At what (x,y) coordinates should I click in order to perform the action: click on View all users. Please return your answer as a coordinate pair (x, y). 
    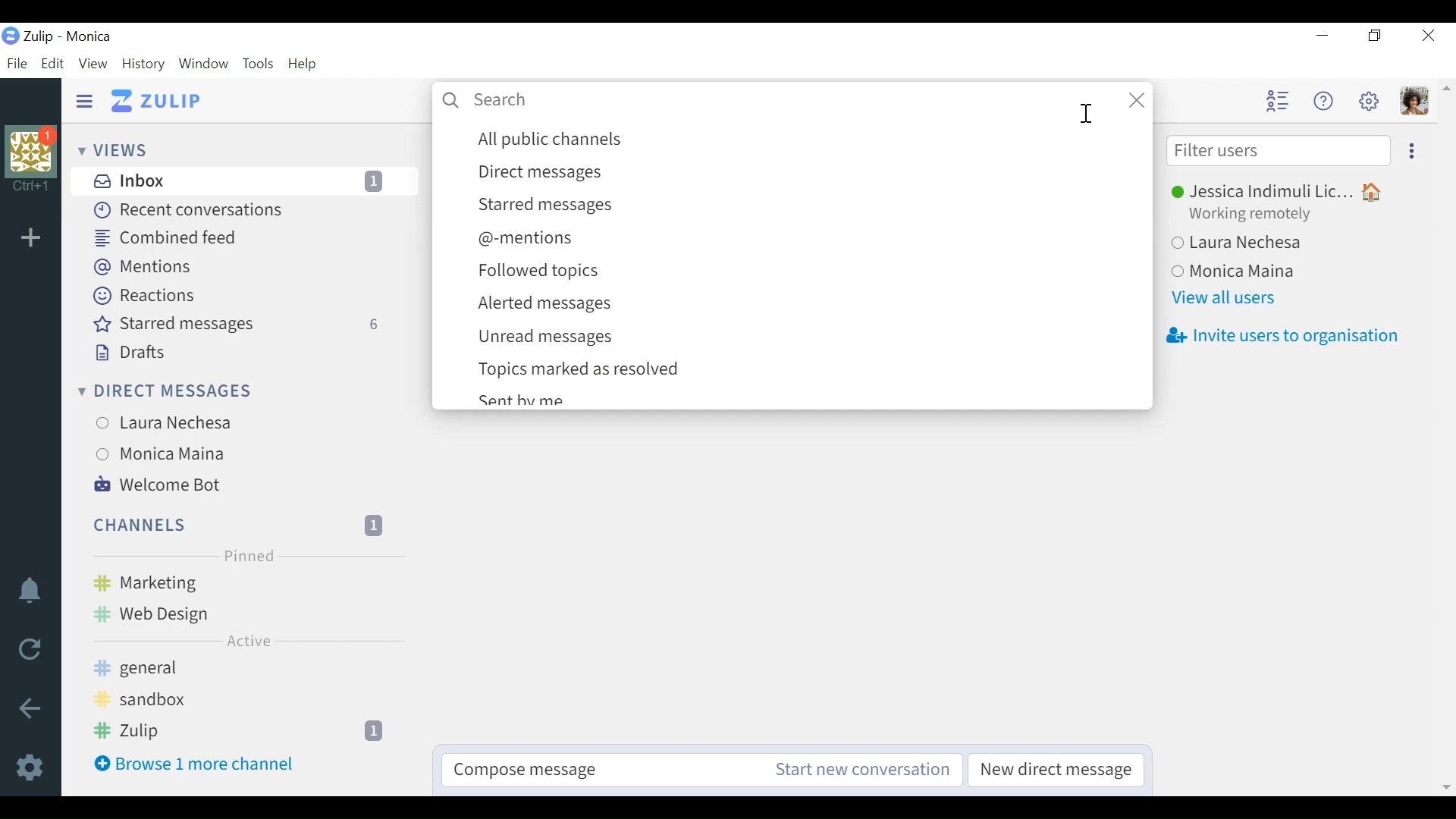
    Looking at the image, I should click on (1235, 298).